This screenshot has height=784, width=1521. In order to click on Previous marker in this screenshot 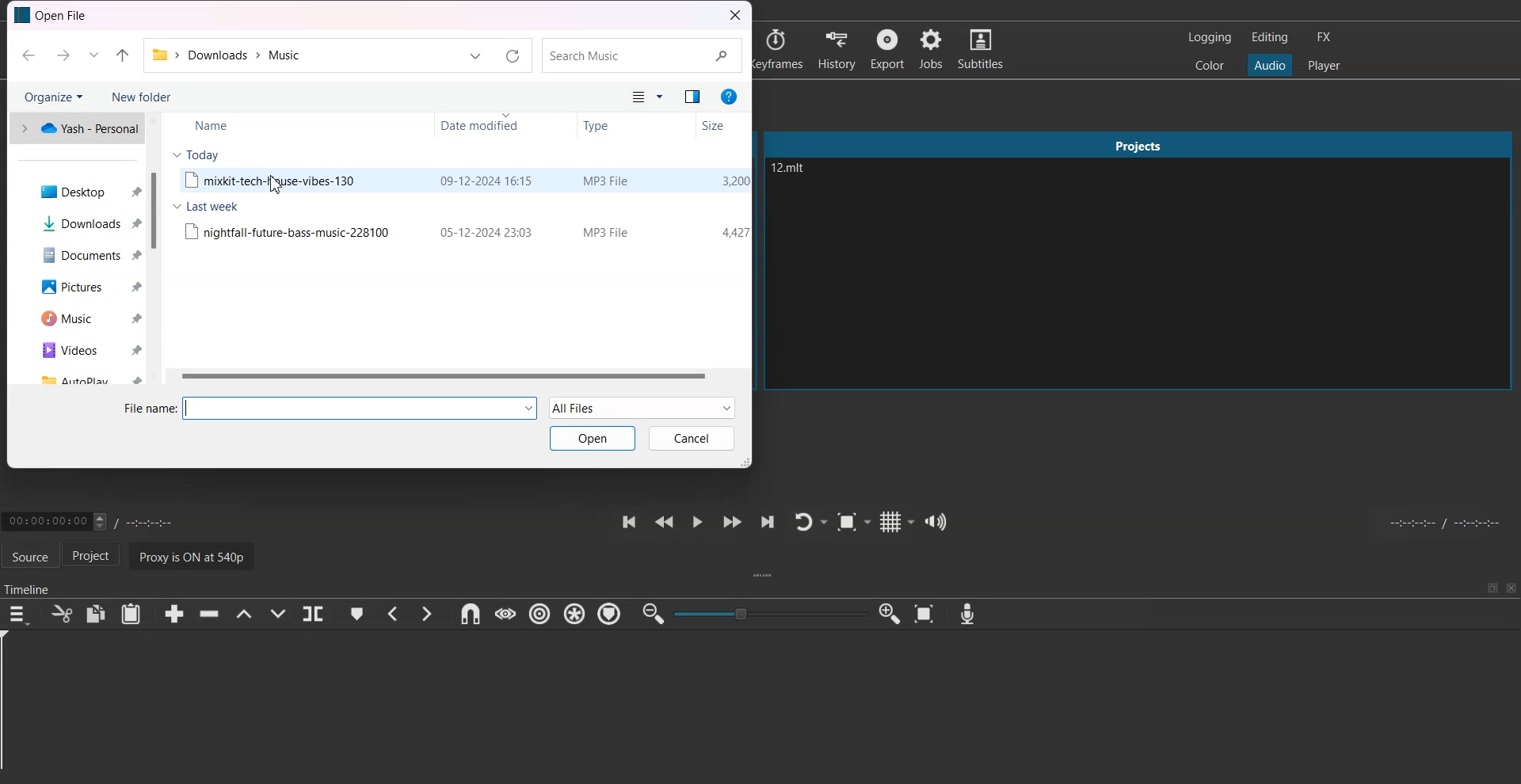, I will do `click(392, 614)`.